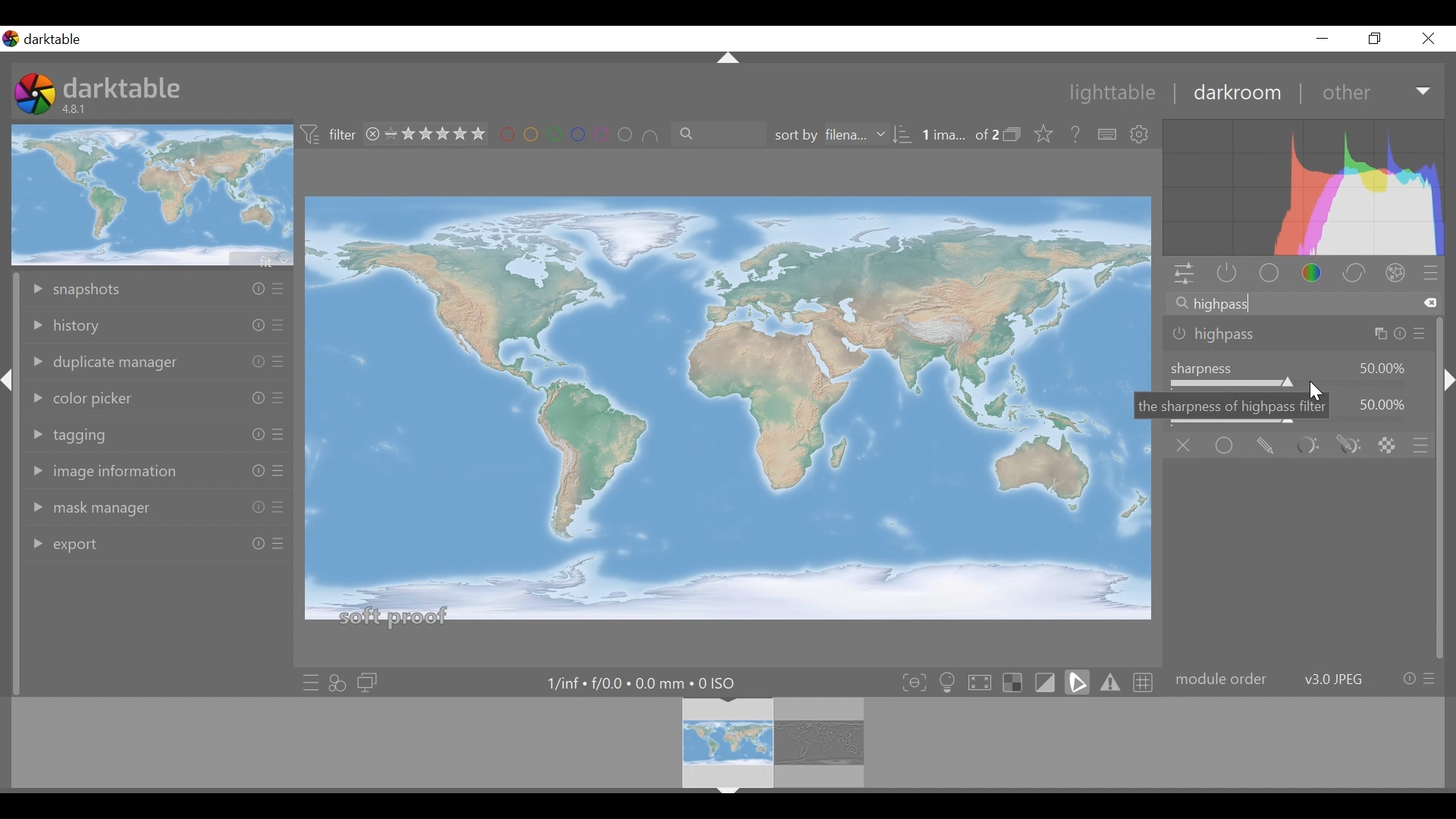 The width and height of the screenshot is (1456, 819). What do you see at coordinates (435, 133) in the screenshot?
I see `range rating` at bounding box center [435, 133].